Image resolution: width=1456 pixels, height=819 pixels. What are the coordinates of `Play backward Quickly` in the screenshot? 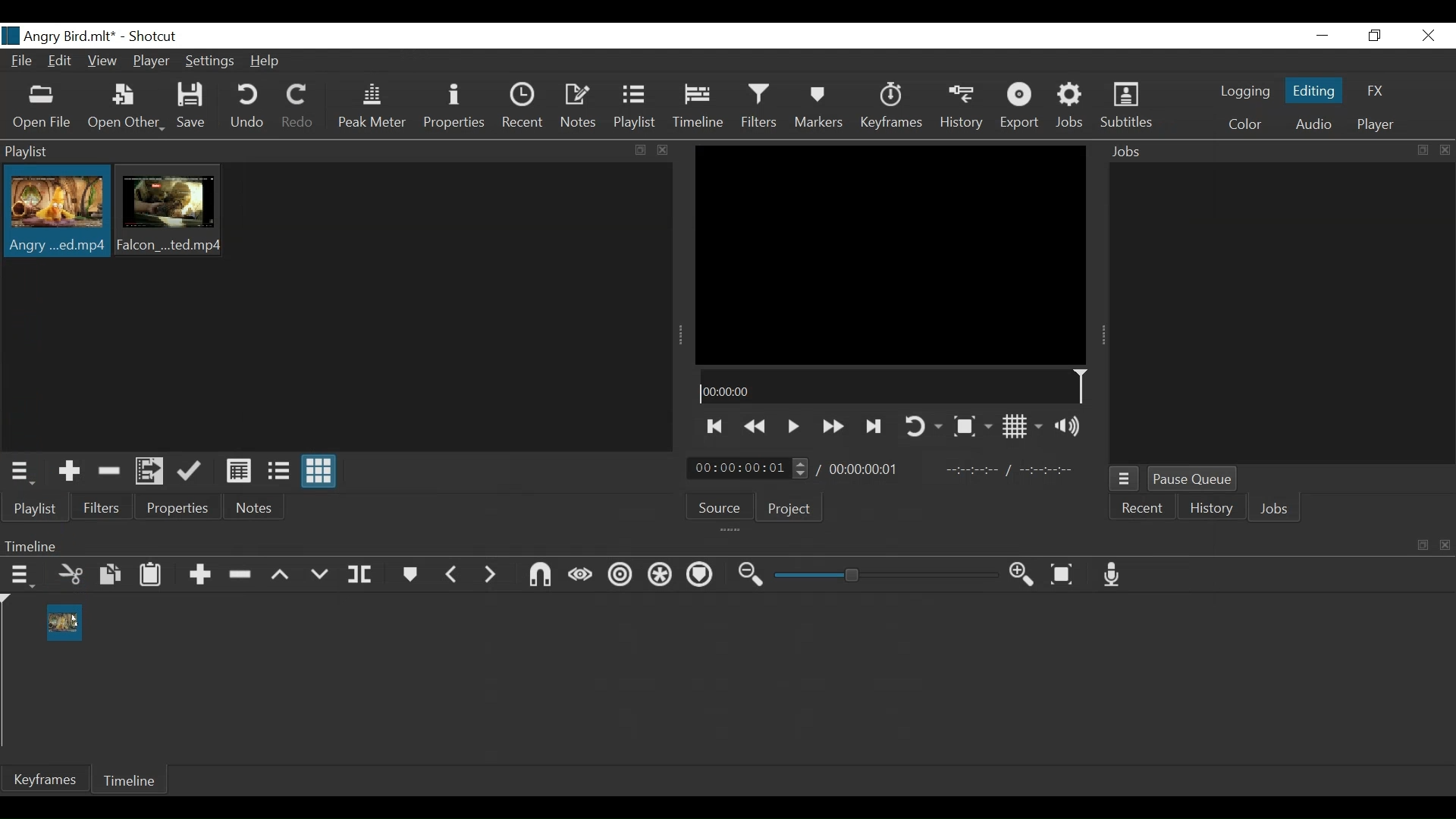 It's located at (758, 425).